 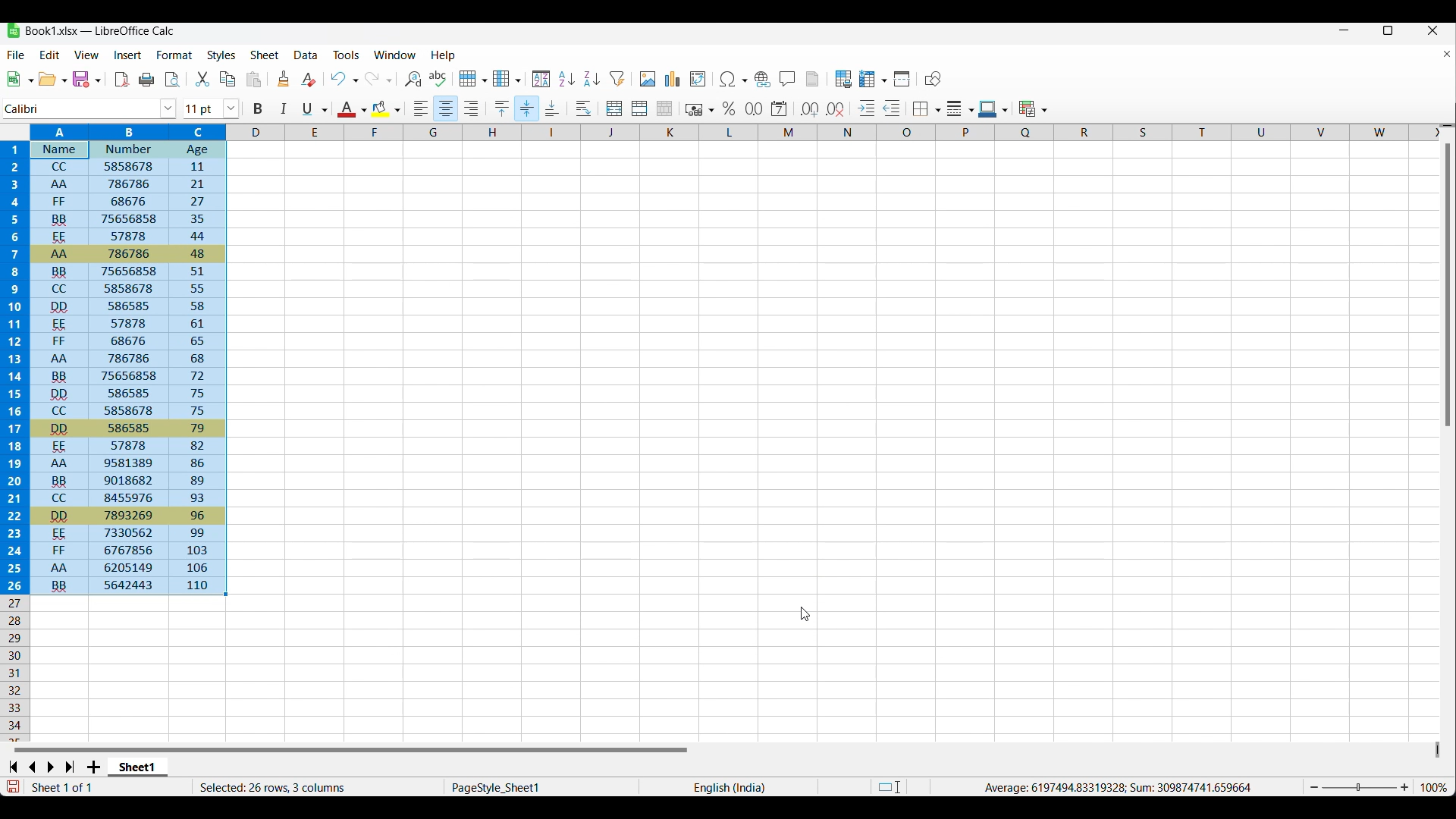 What do you see at coordinates (86, 55) in the screenshot?
I see `View menu` at bounding box center [86, 55].